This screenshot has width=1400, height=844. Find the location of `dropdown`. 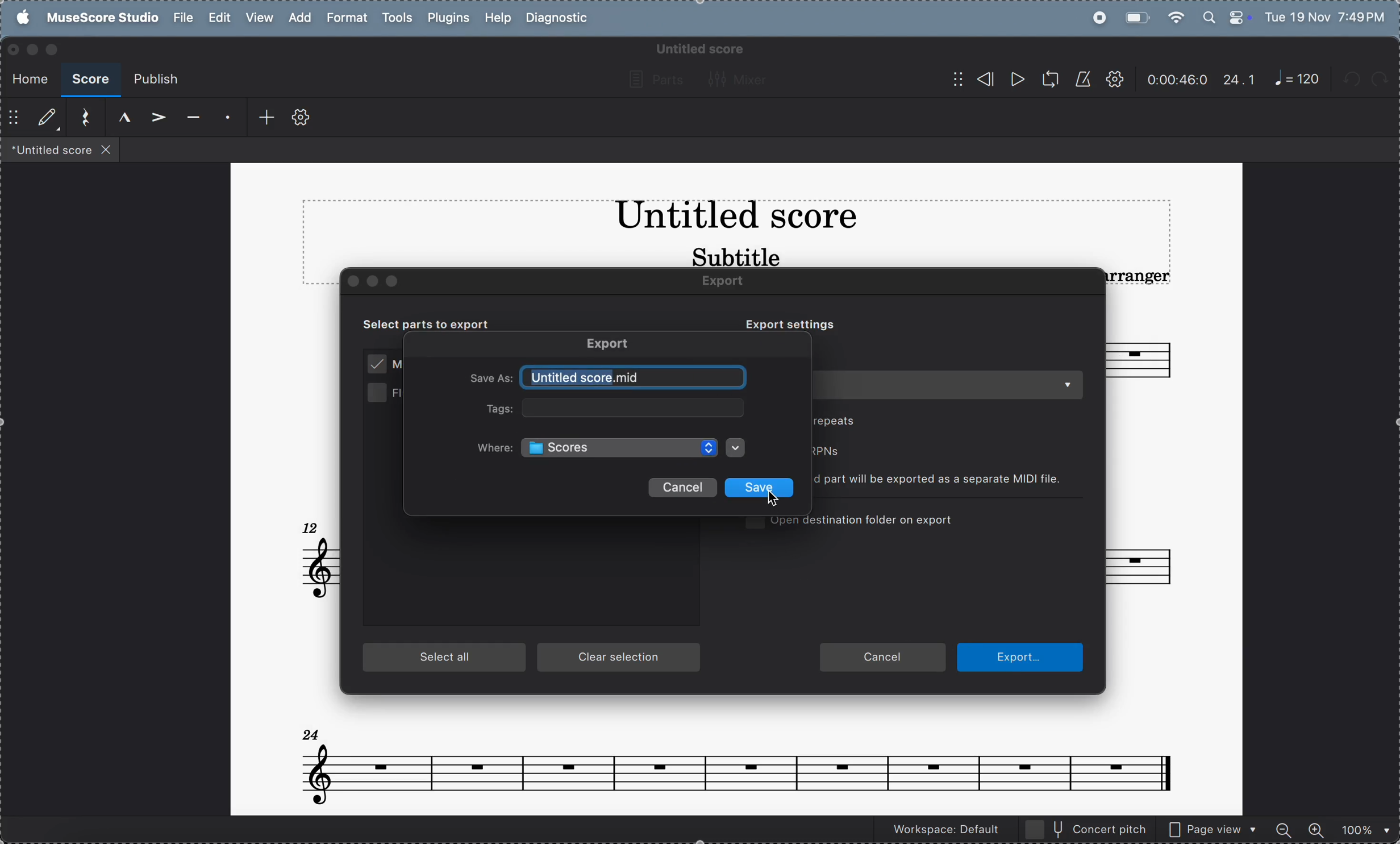

dropdown is located at coordinates (737, 448).